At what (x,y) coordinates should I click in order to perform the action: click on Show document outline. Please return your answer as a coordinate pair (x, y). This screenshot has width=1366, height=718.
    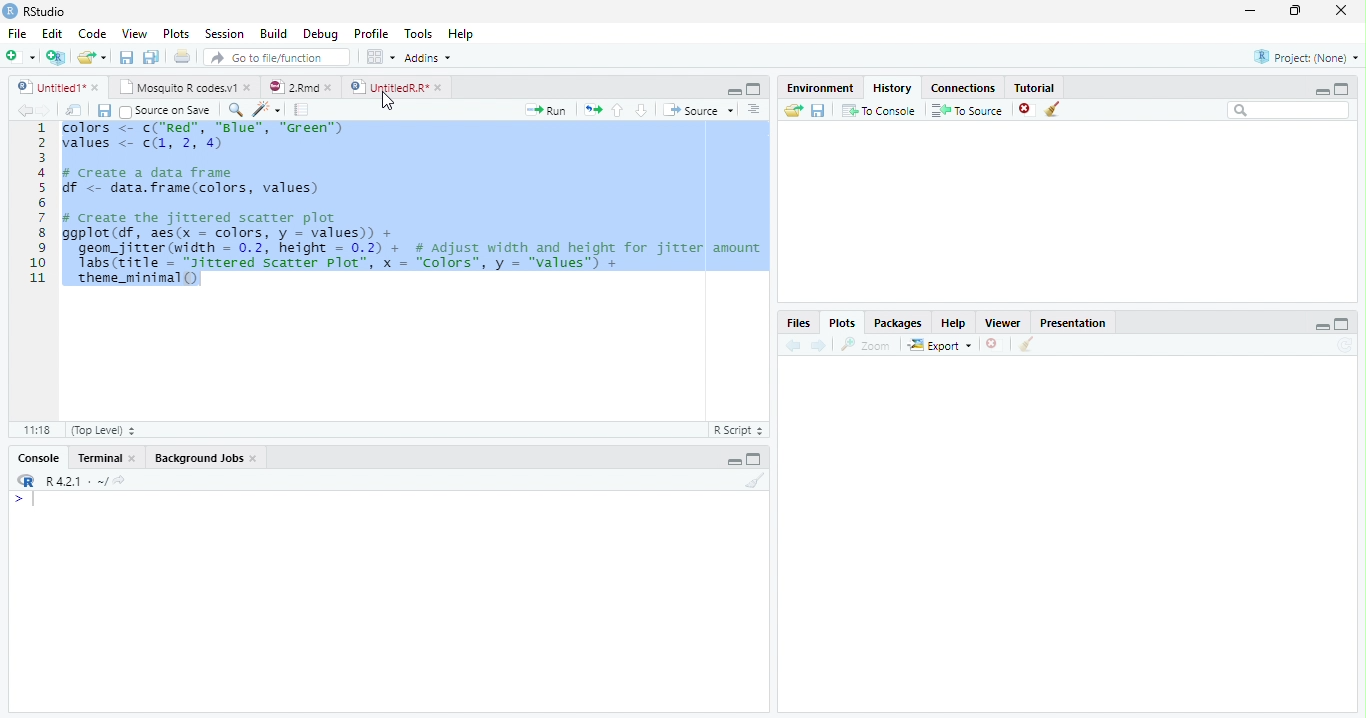
    Looking at the image, I should click on (753, 109).